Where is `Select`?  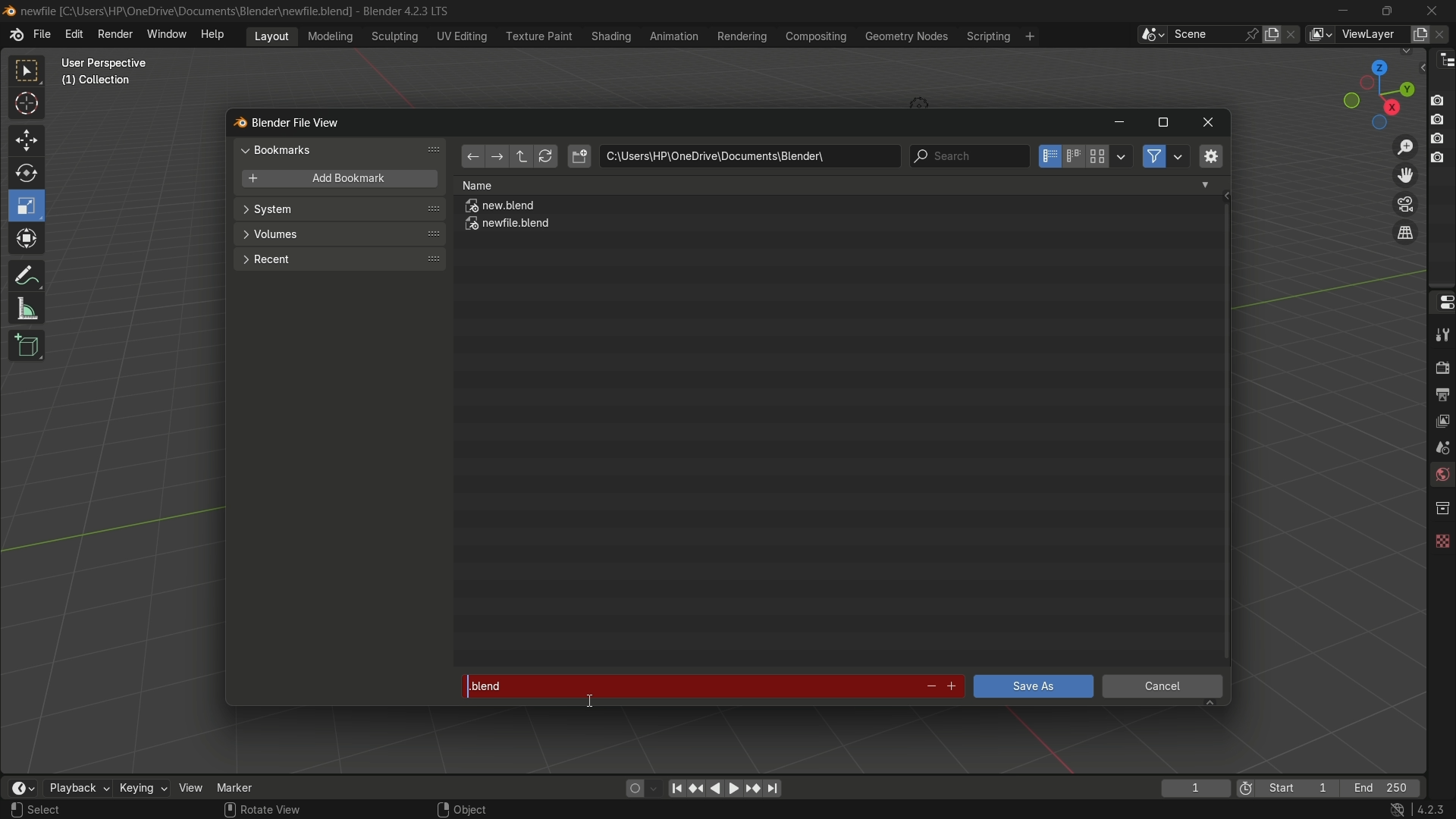 Select is located at coordinates (63, 810).